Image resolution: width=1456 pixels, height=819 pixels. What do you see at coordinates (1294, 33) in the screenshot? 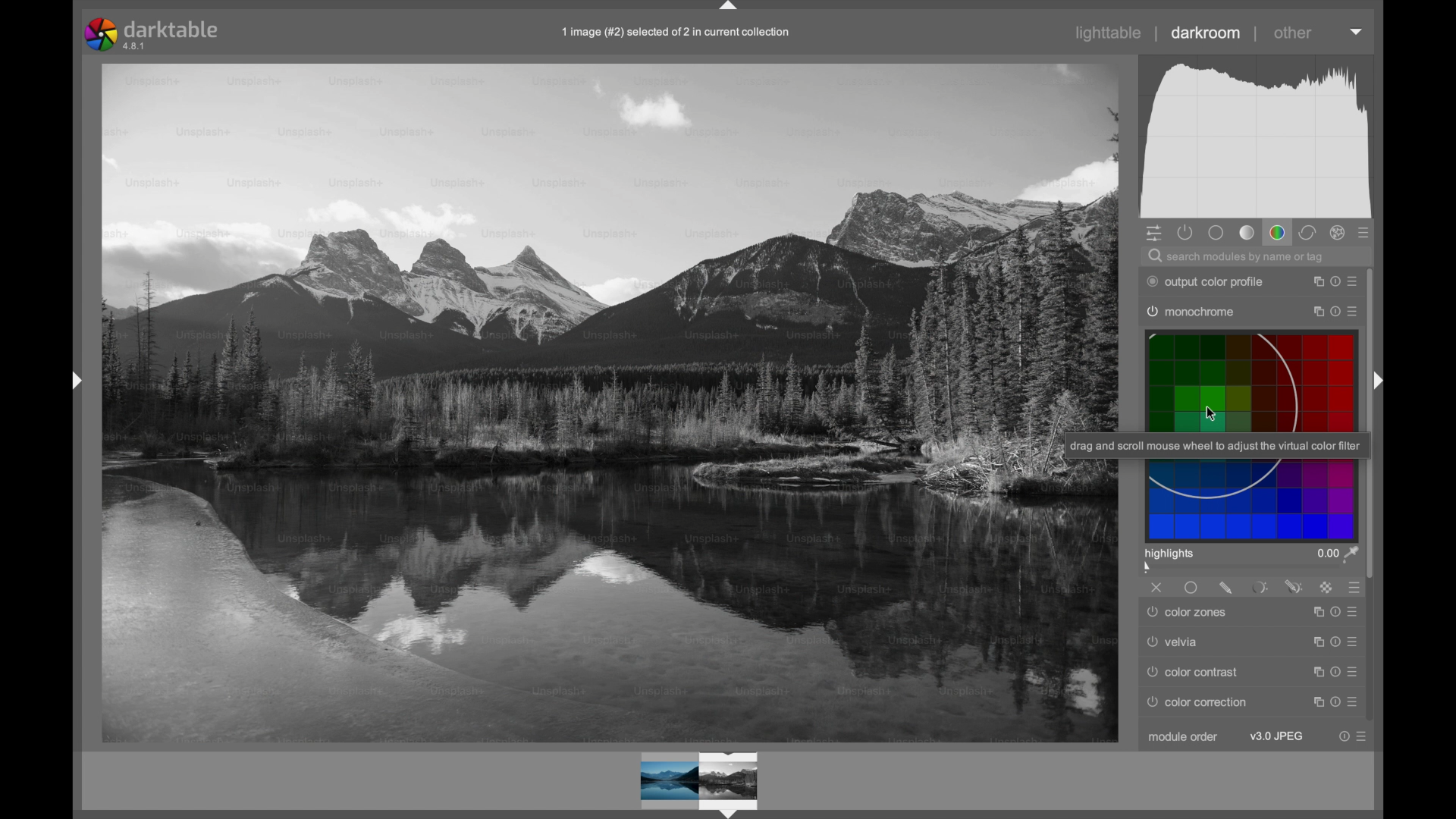
I see `other` at bounding box center [1294, 33].